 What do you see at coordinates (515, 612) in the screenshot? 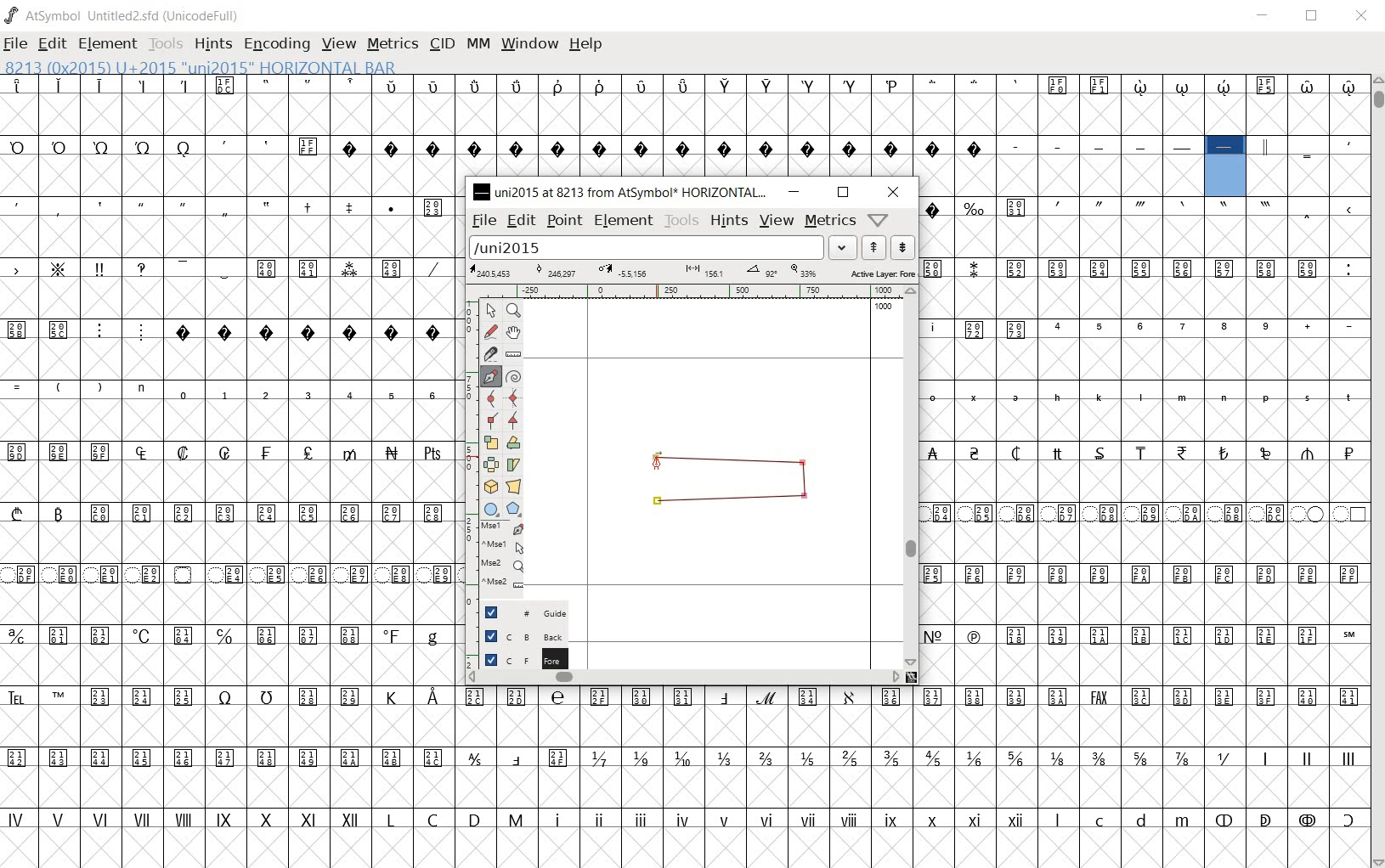
I see `Guide` at bounding box center [515, 612].